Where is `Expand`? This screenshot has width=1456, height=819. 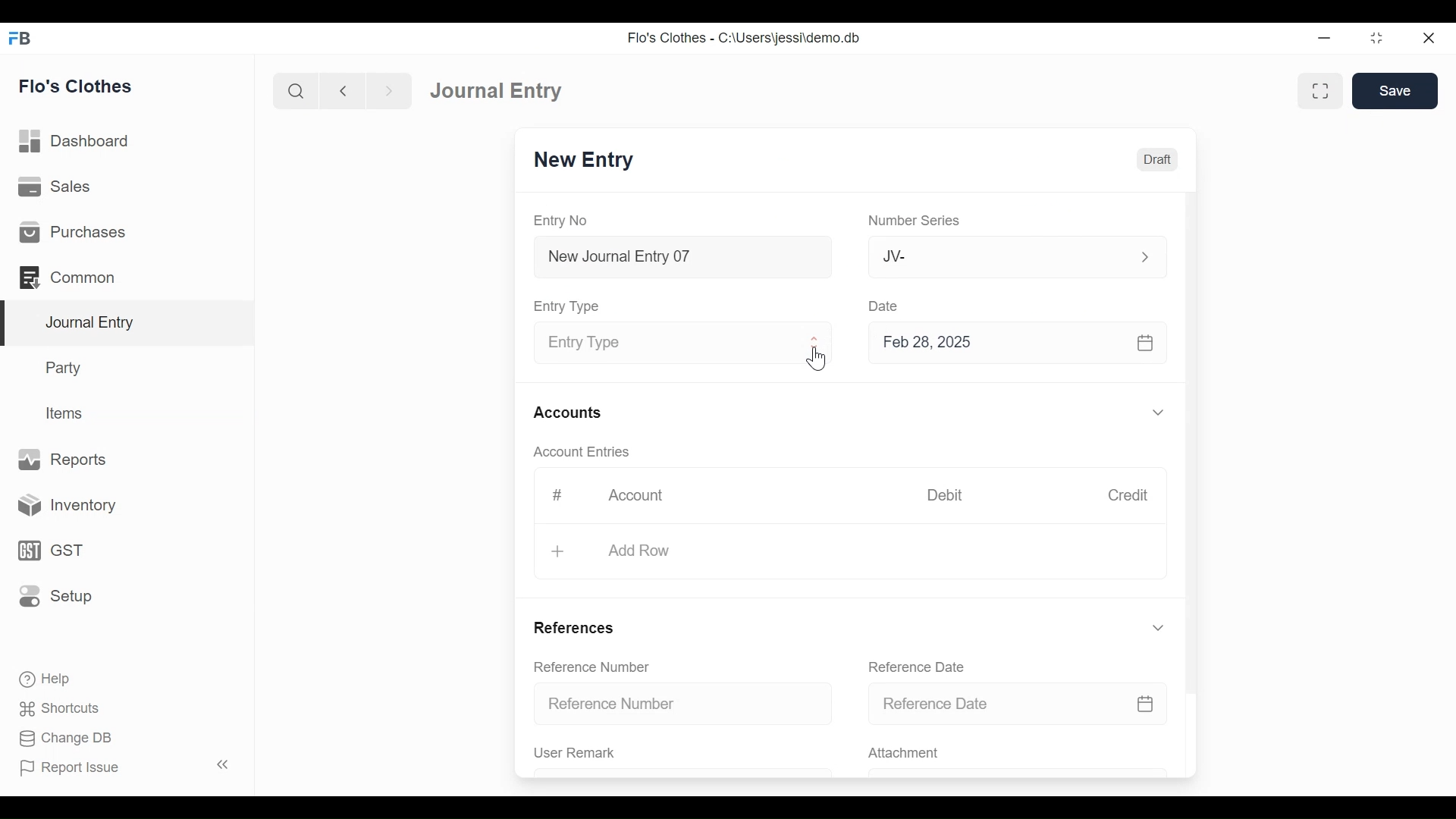 Expand is located at coordinates (1144, 257).